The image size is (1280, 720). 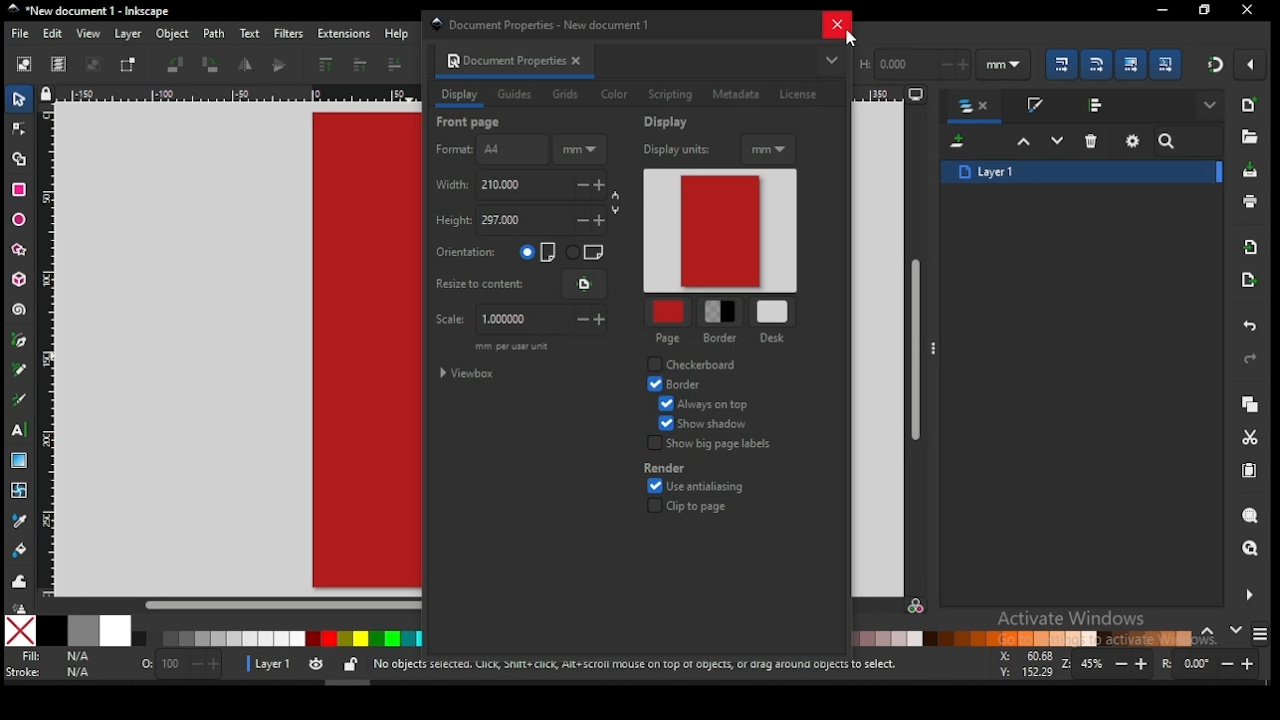 I want to click on object rotate 90 CCW, so click(x=179, y=65).